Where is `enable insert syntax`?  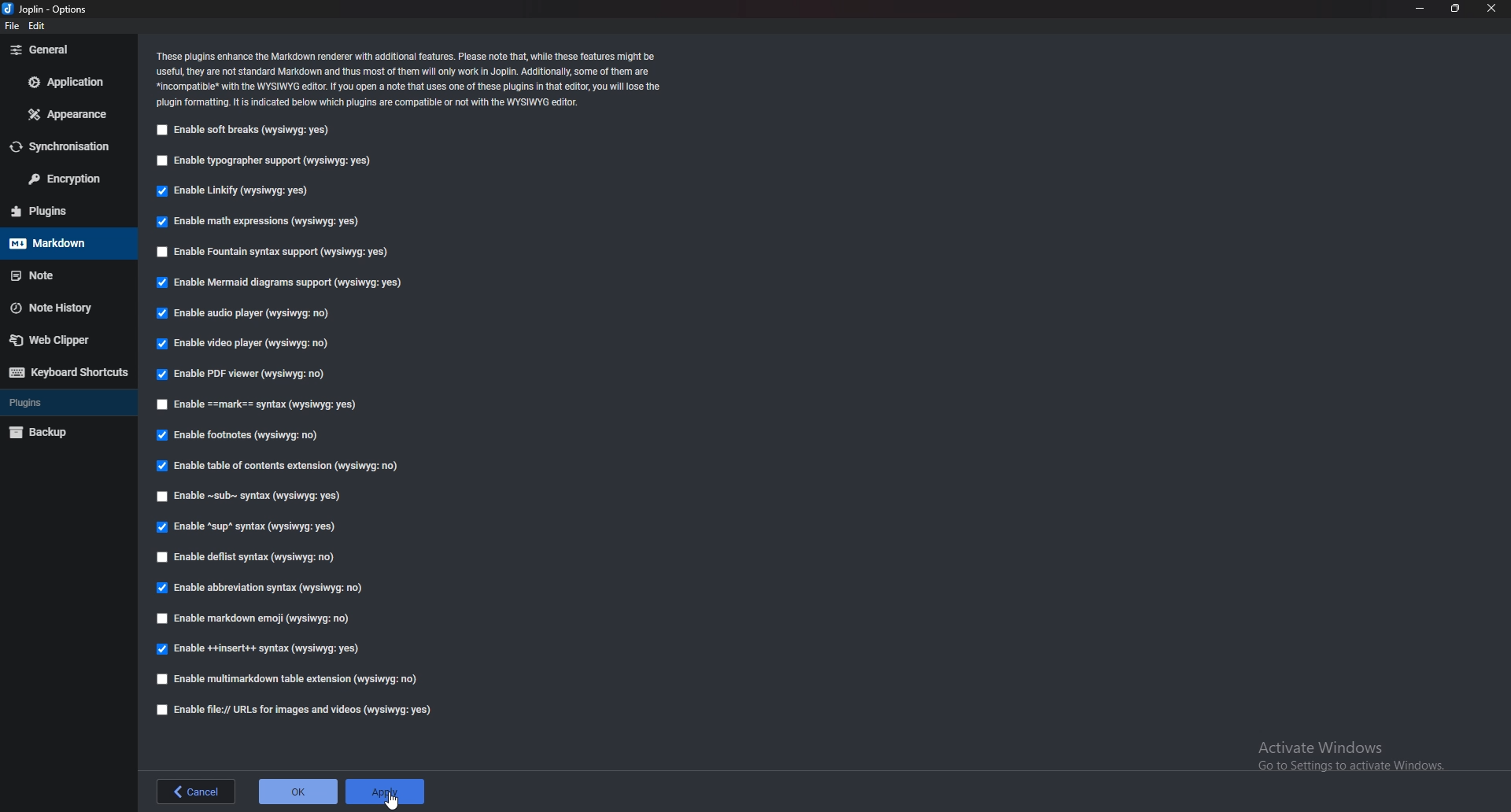
enable insert syntax is located at coordinates (257, 649).